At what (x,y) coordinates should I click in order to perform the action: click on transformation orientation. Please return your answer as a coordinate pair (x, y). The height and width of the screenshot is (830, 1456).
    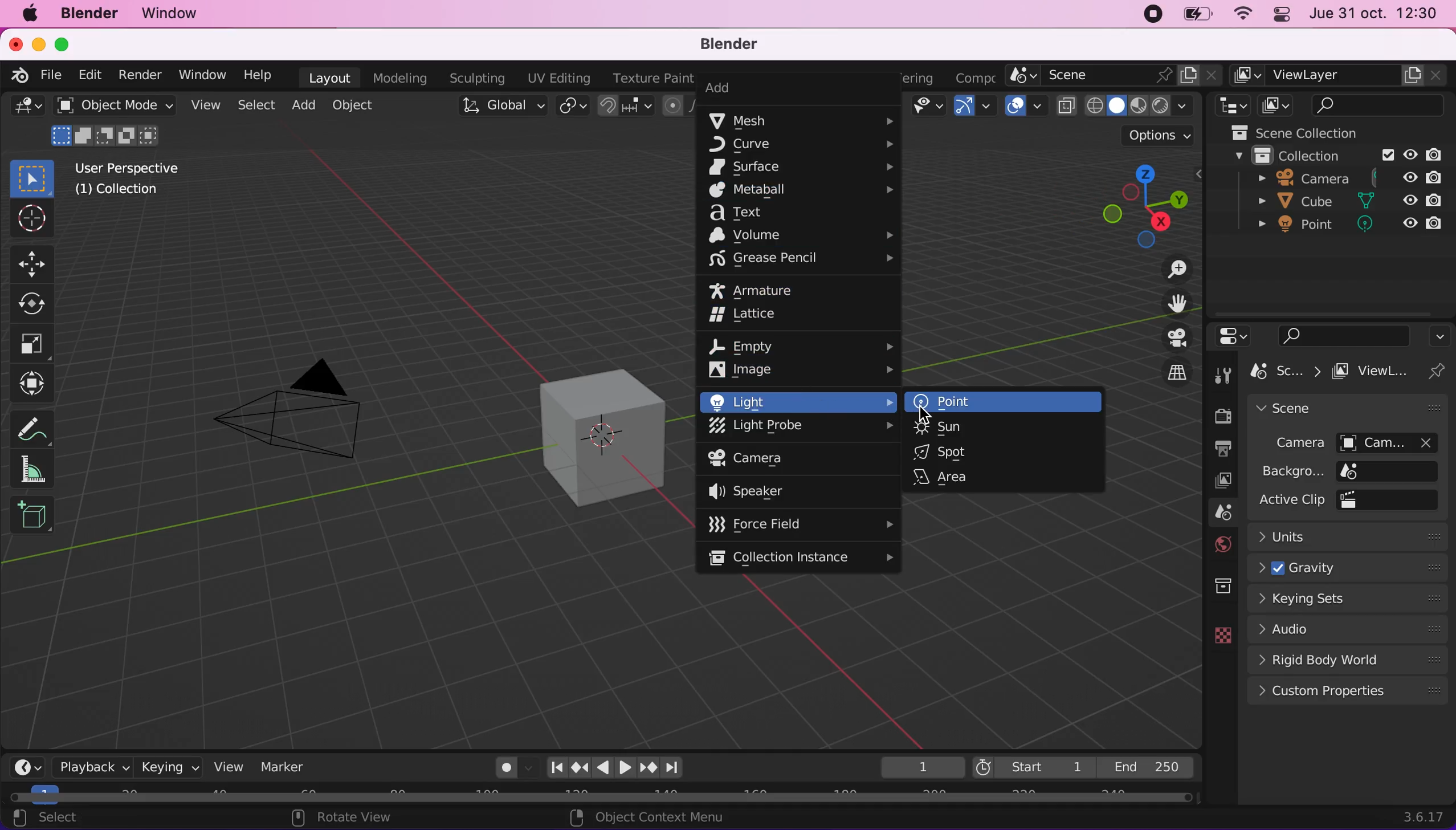
    Looking at the image, I should click on (500, 106).